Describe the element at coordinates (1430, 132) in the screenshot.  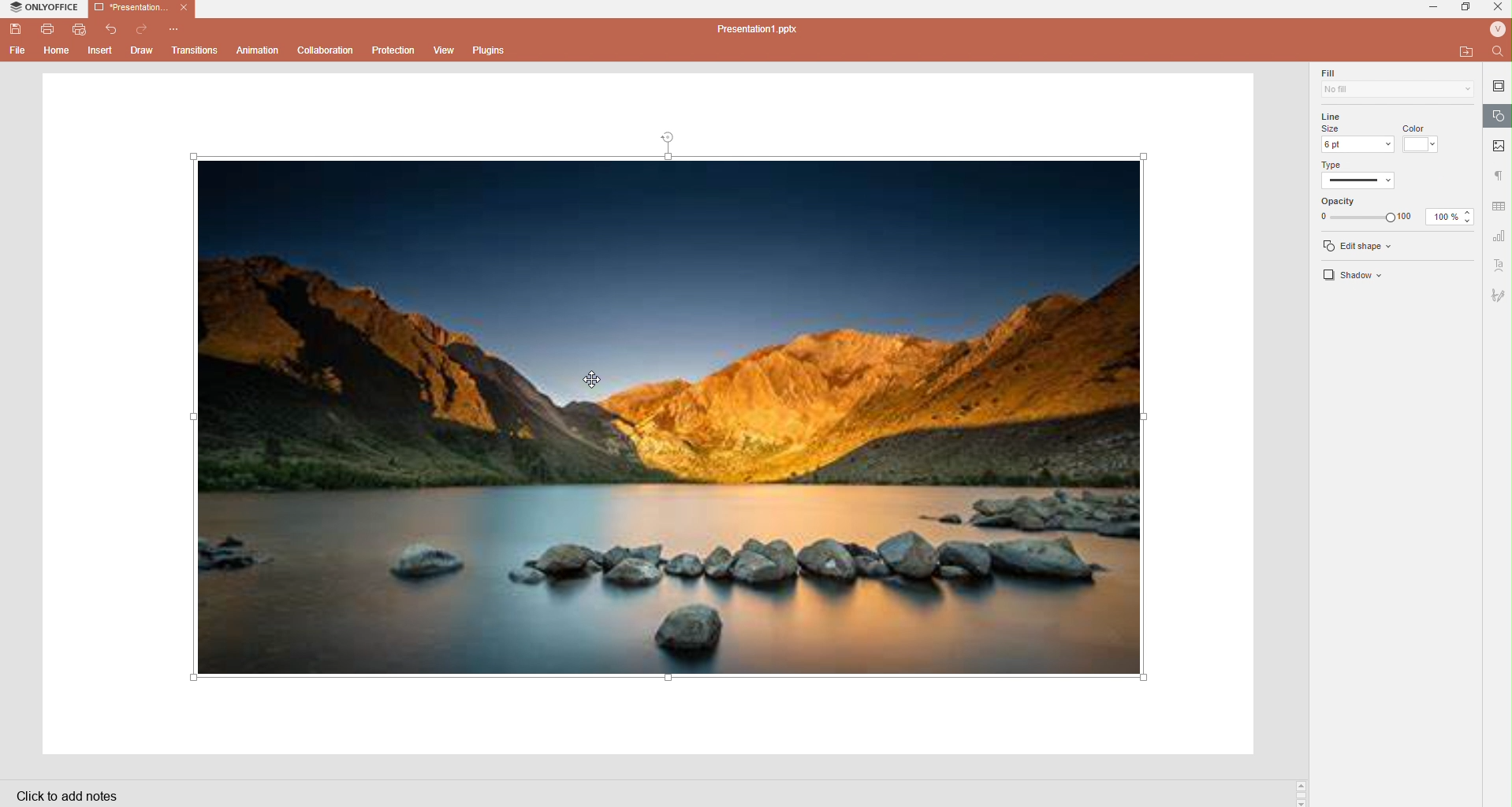
I see `Line color` at that location.